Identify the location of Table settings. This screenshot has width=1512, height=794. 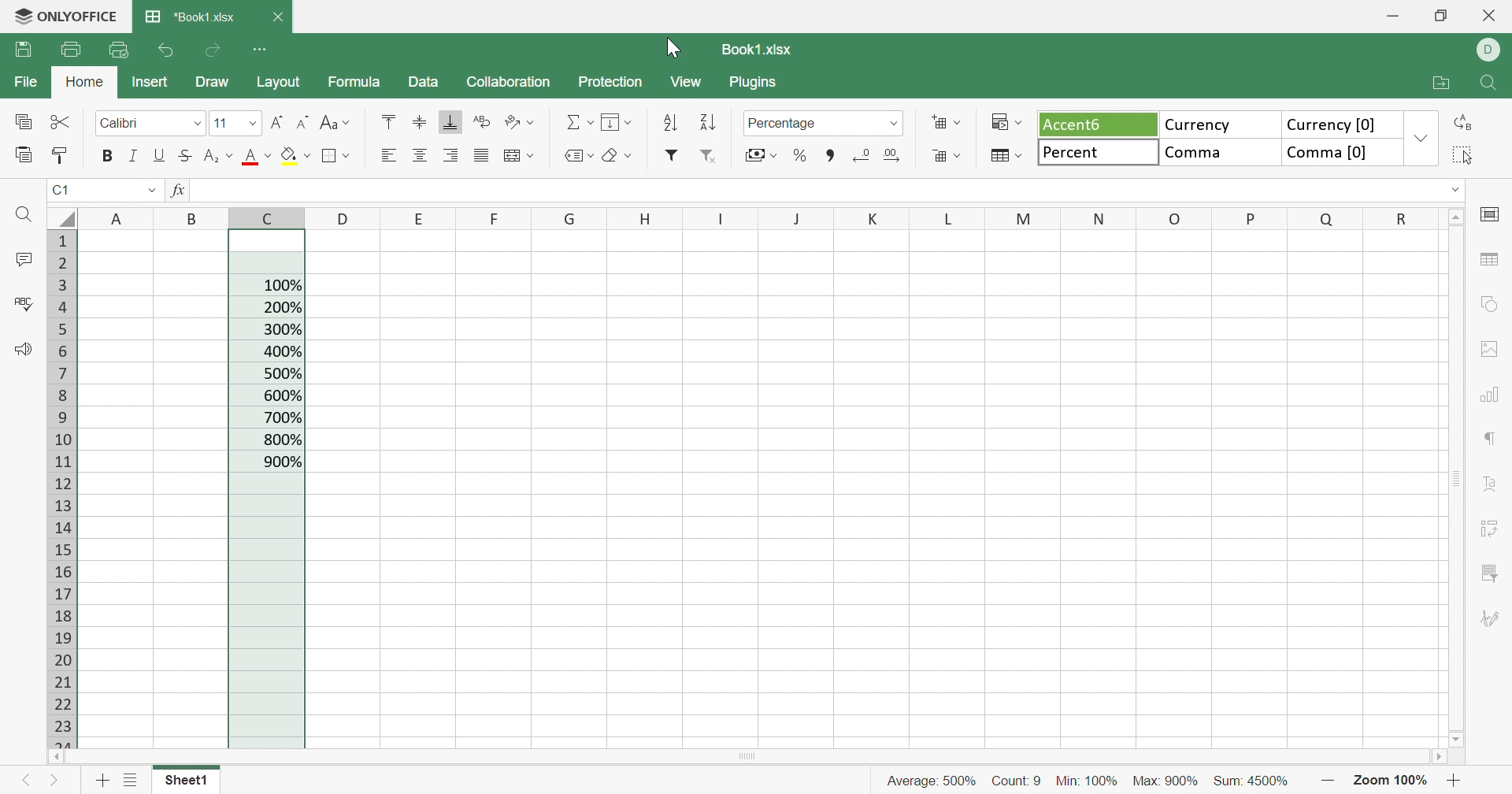
(1492, 262).